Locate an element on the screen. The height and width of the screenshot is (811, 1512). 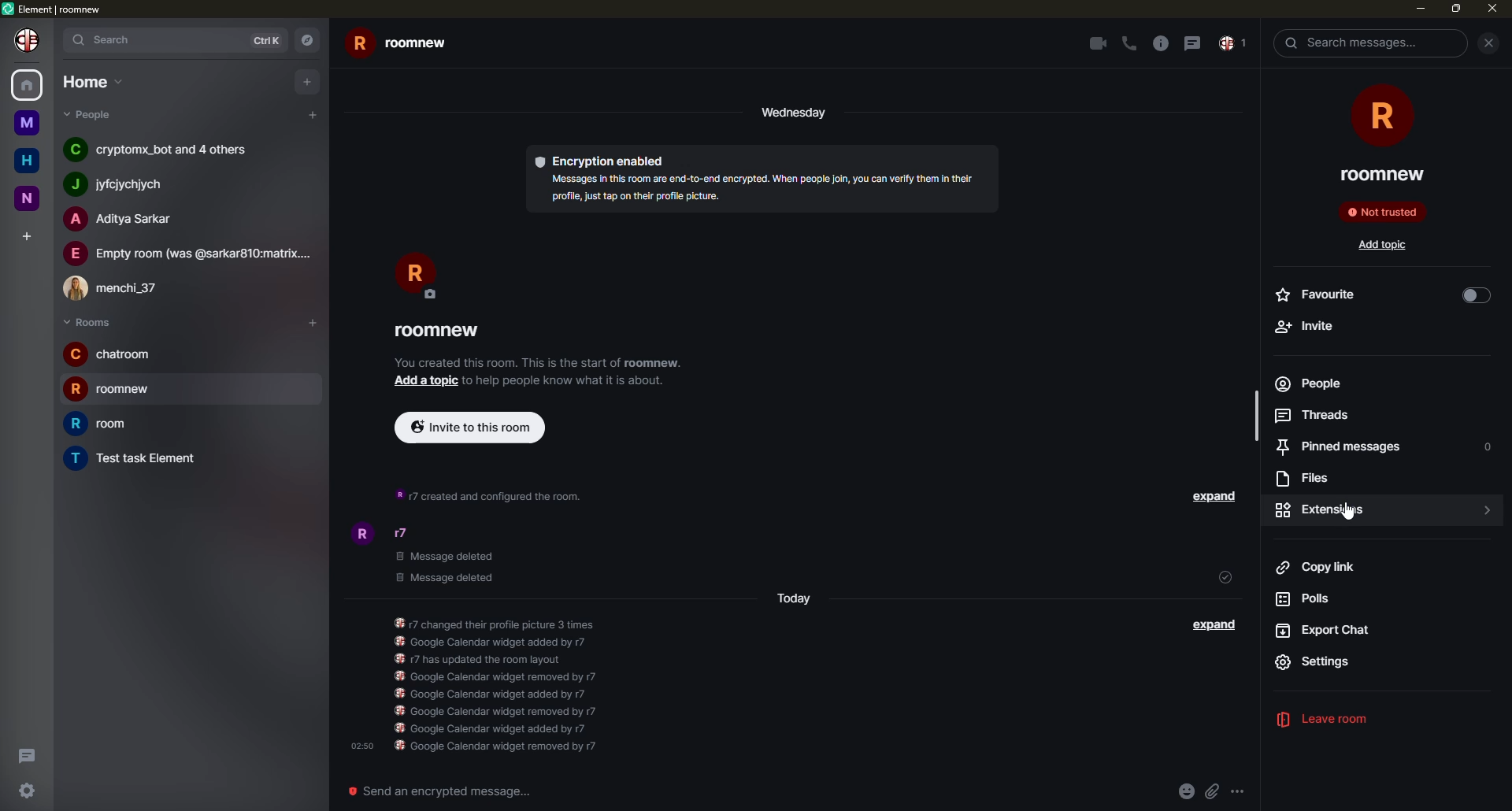
room is located at coordinates (28, 124).